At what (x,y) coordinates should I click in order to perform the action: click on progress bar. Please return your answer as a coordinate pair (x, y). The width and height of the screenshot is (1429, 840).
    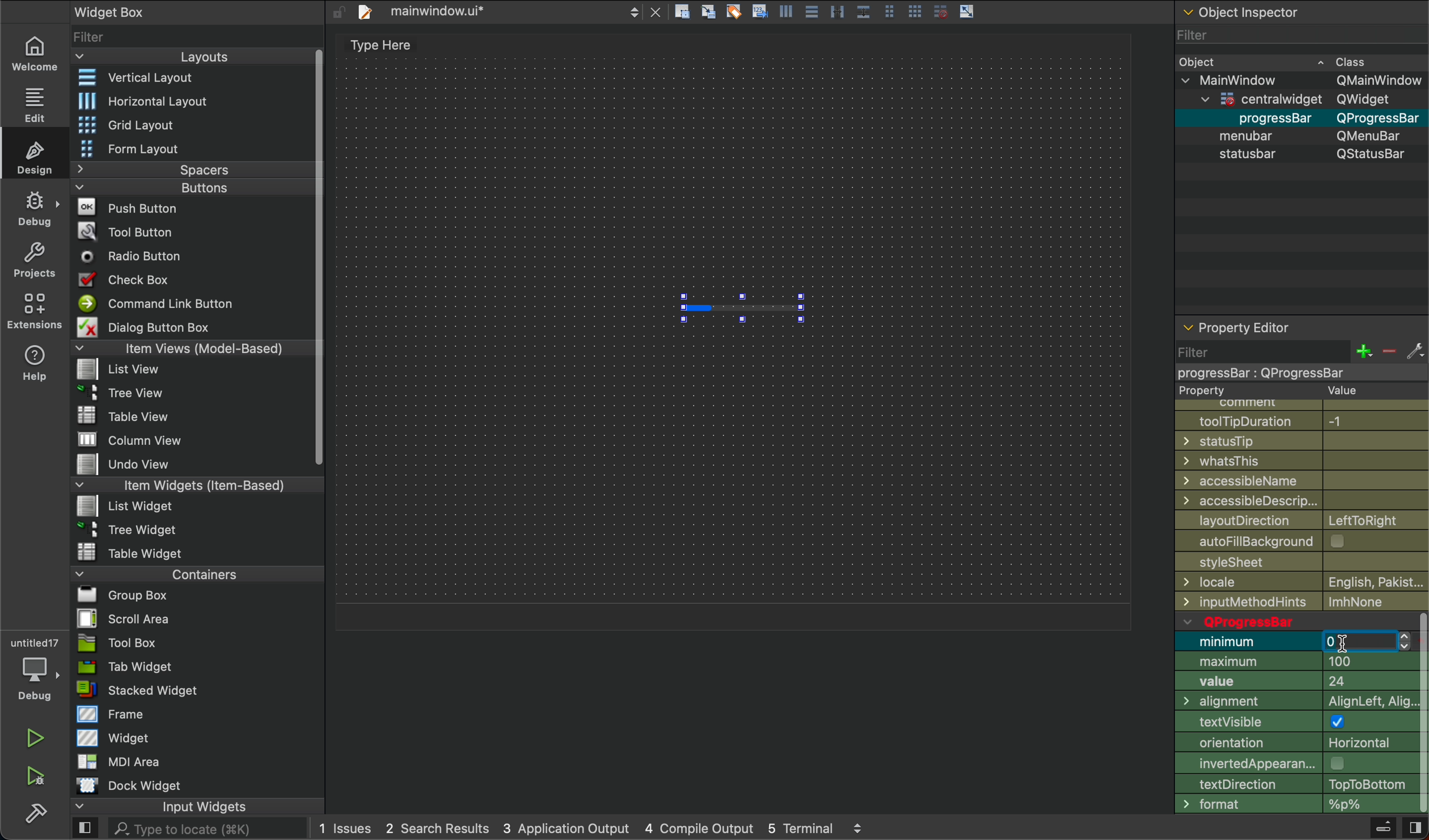
    Looking at the image, I should click on (742, 306).